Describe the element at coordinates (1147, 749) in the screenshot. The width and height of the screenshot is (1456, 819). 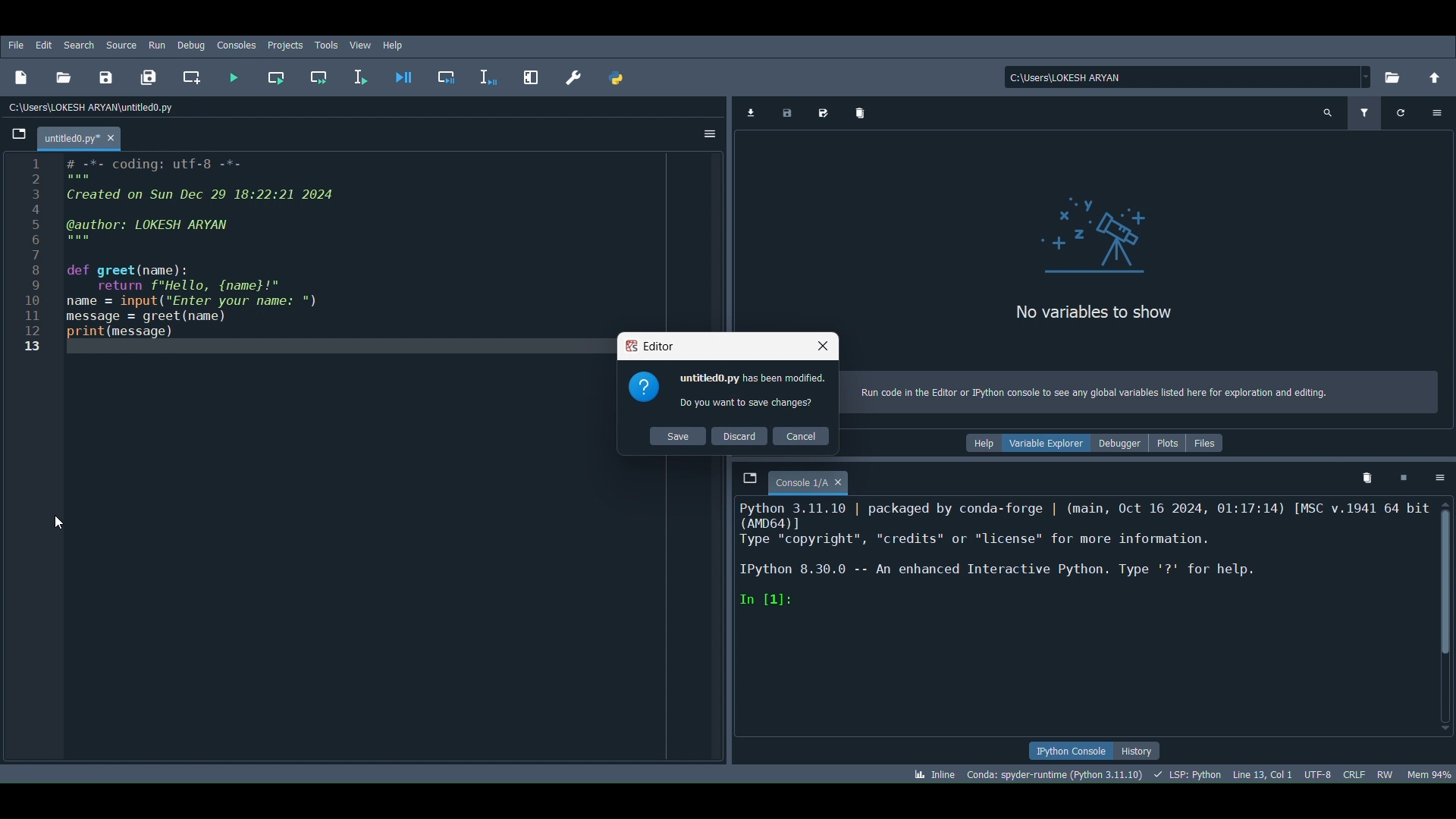
I see `History` at that location.